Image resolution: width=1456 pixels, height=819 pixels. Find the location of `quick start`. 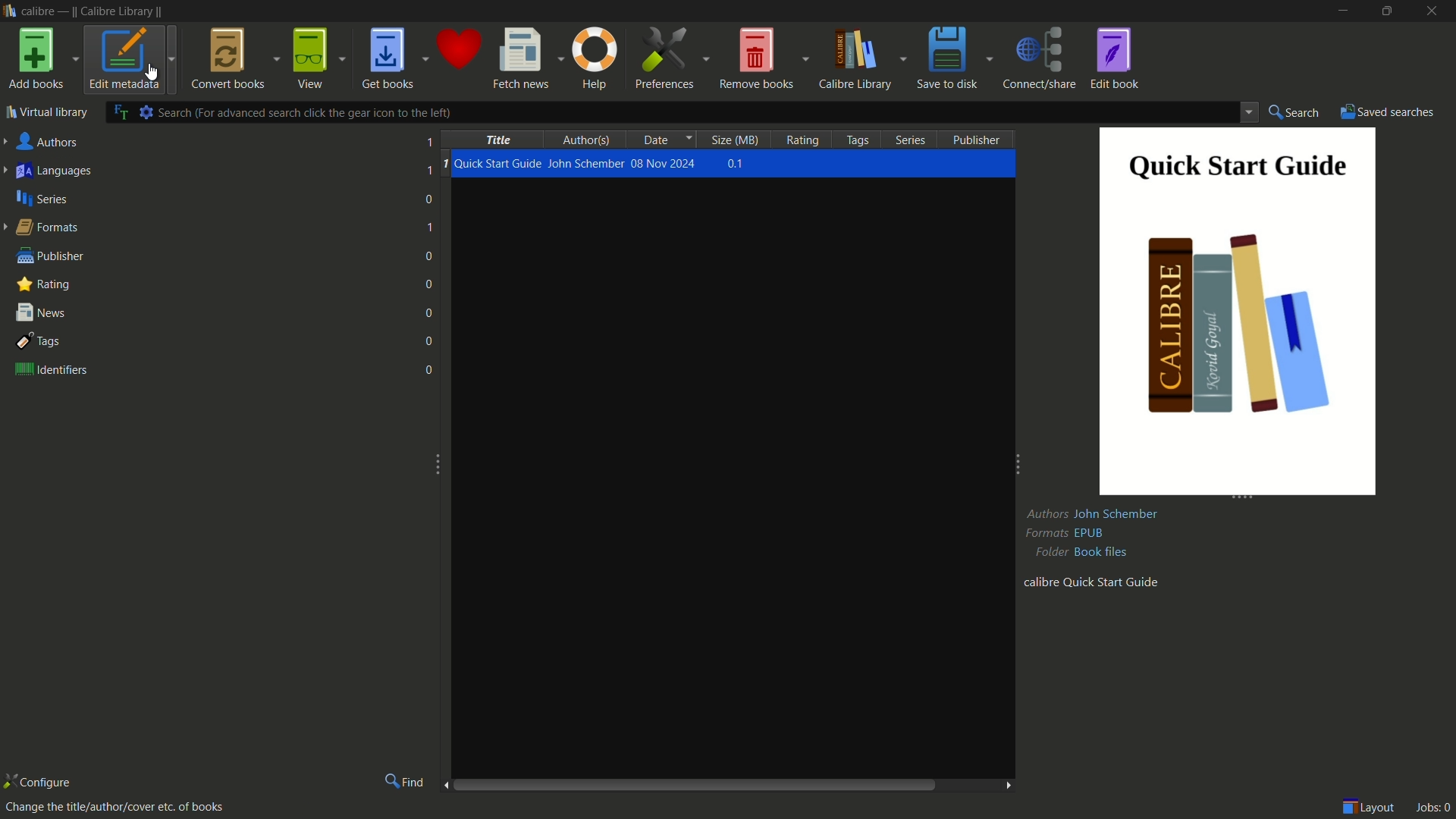

quick start is located at coordinates (1239, 312).